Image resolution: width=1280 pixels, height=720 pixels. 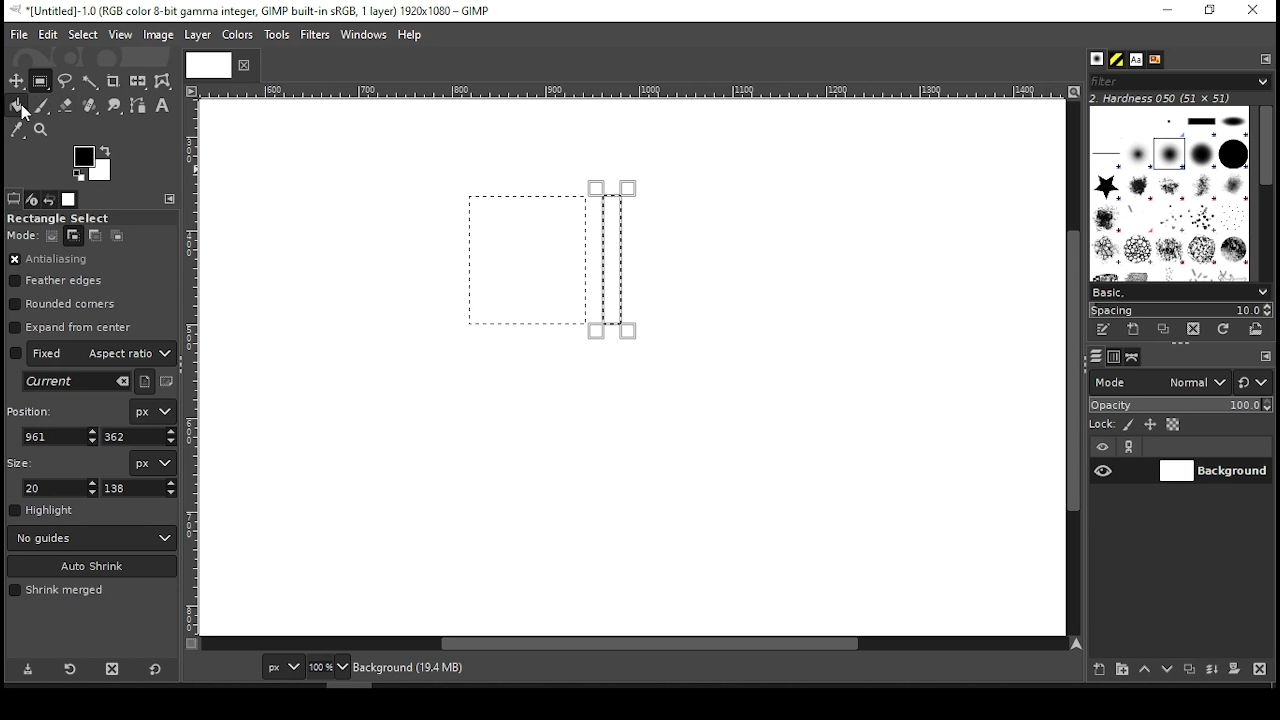 I want to click on 818,363, so click(x=221, y=667).